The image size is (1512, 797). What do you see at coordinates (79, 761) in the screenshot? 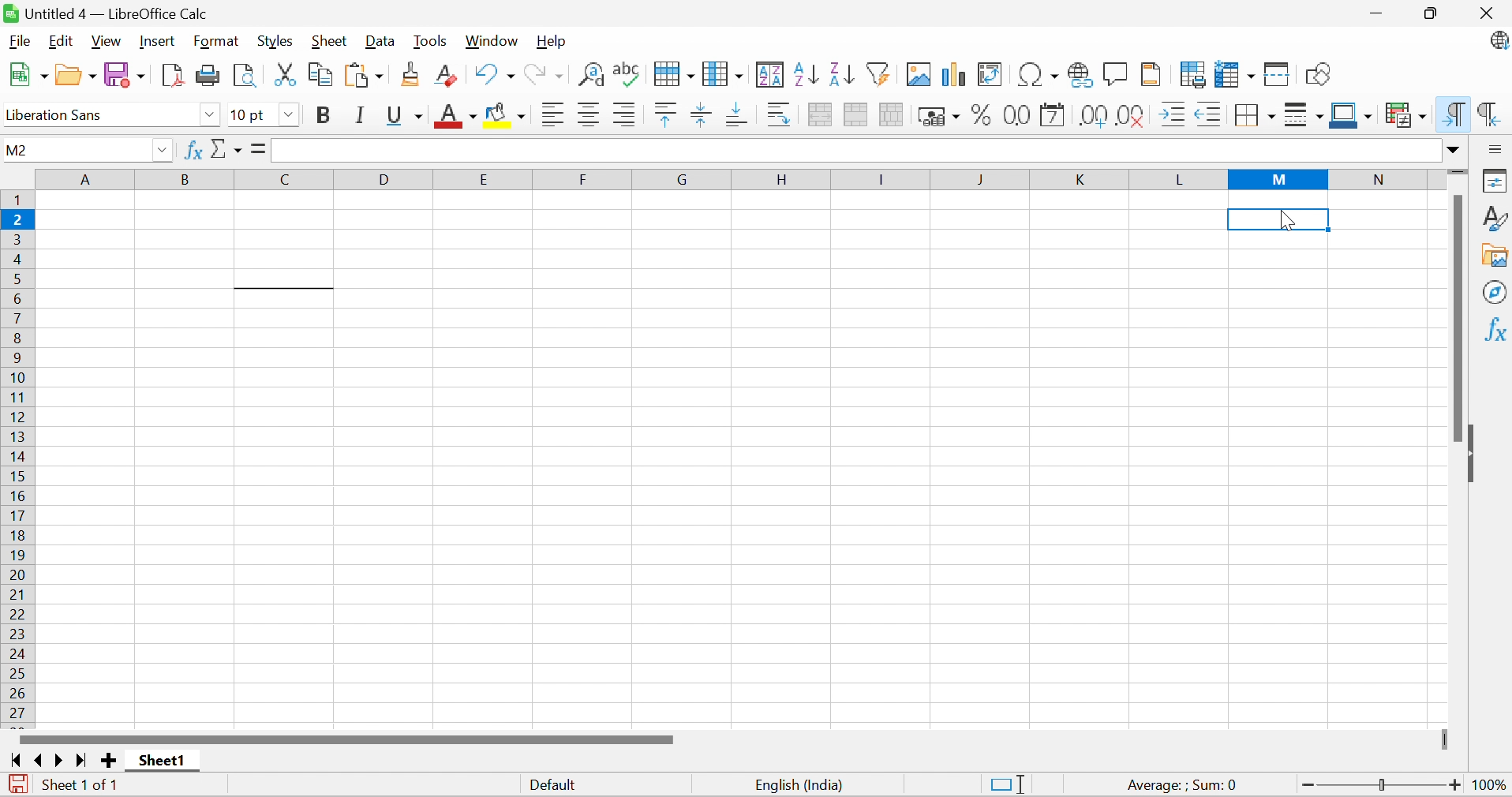
I see `Scroll to last sheet` at bounding box center [79, 761].